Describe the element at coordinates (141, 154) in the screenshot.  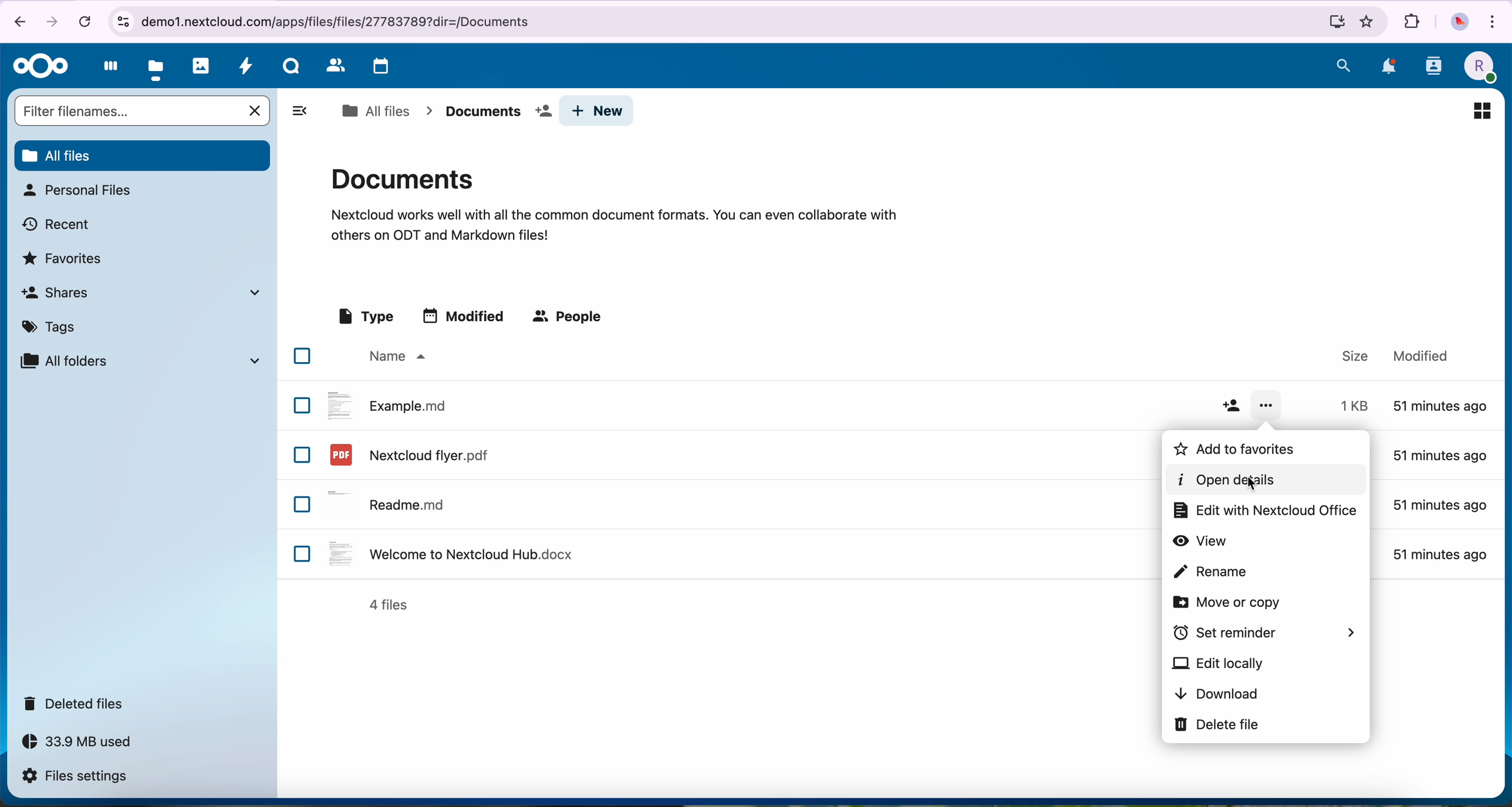
I see `all files button` at that location.